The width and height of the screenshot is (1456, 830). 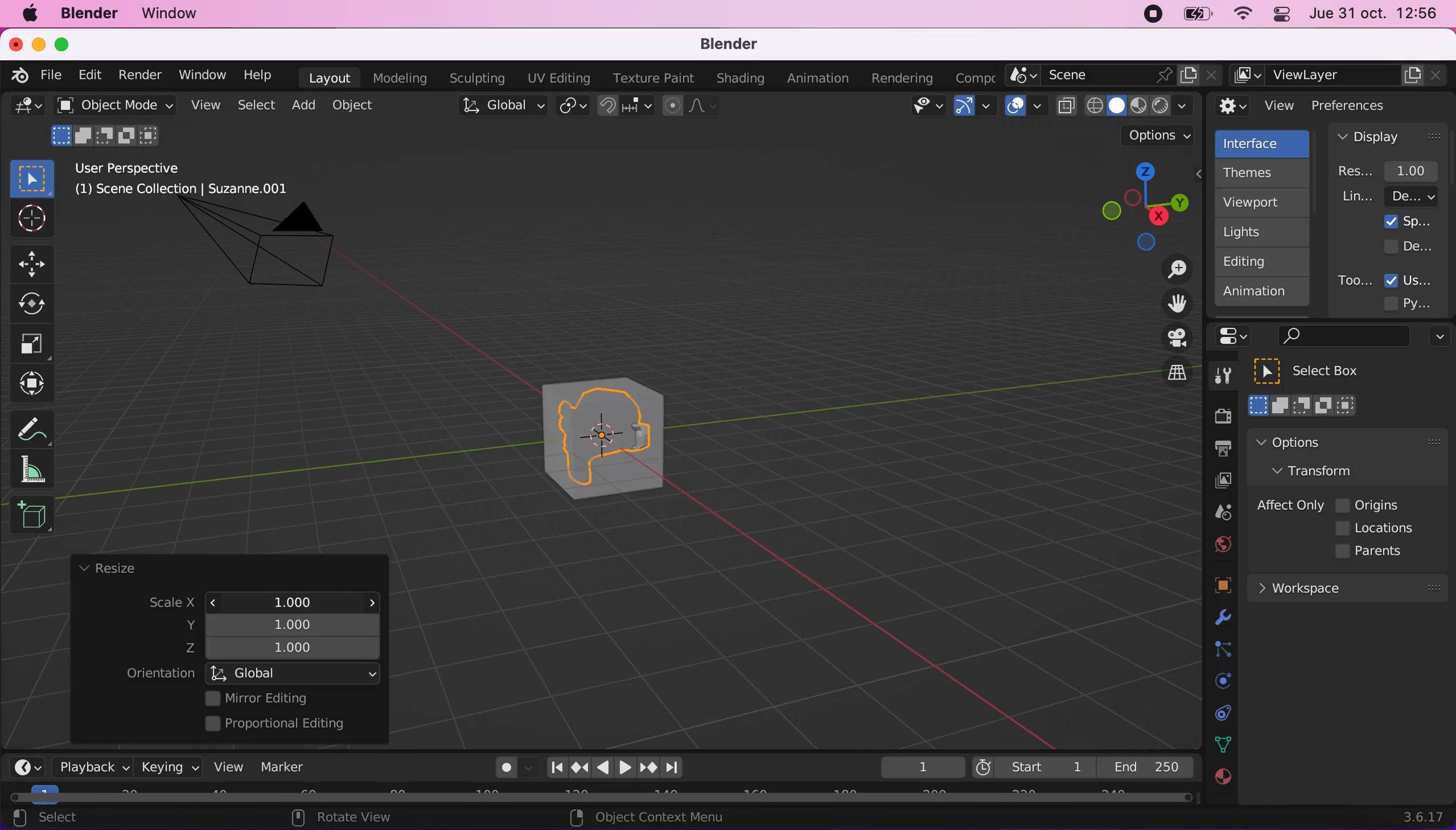 I want to click on parents, so click(x=1375, y=552).